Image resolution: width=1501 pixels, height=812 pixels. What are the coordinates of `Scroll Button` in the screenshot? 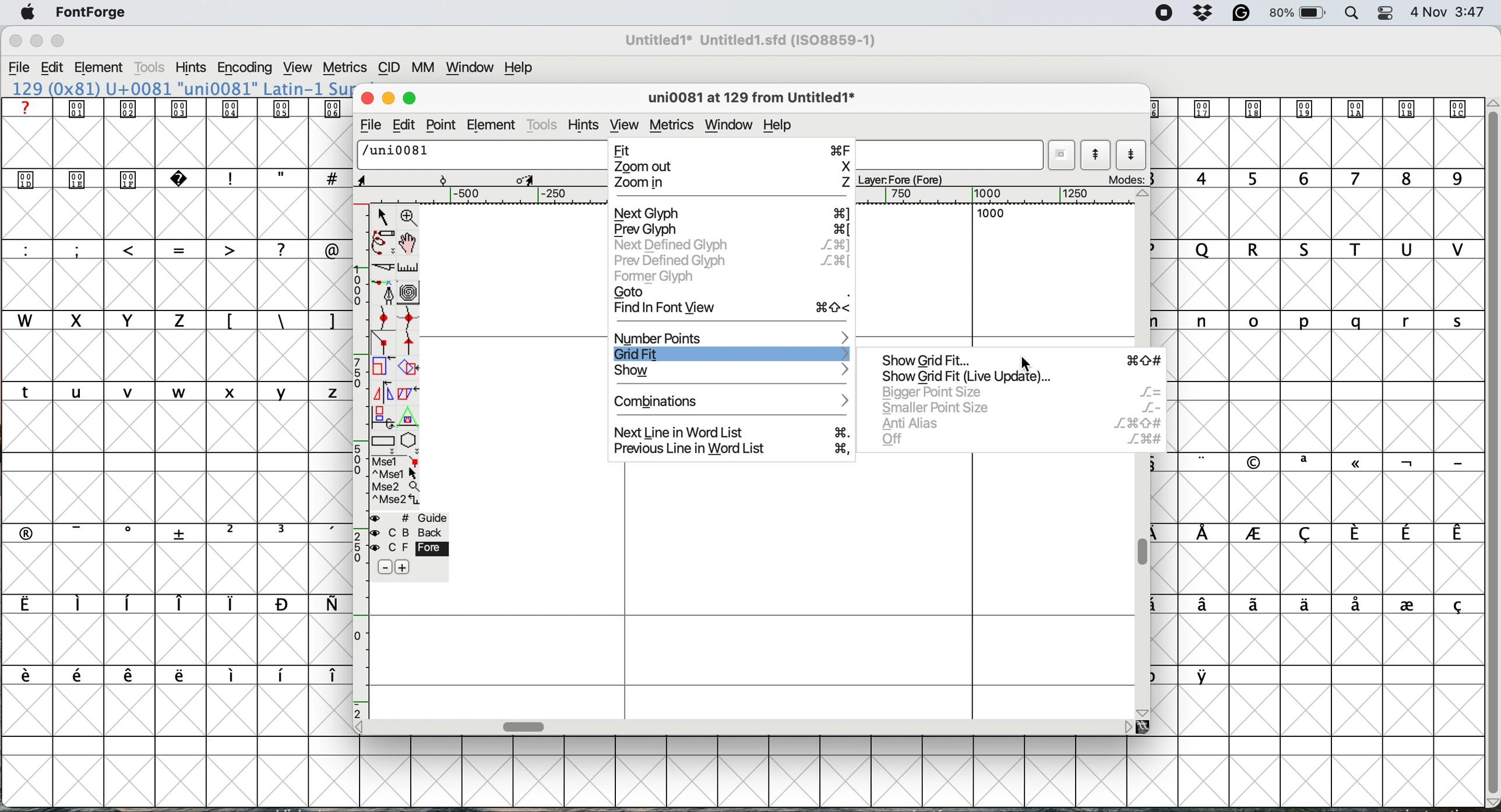 It's located at (1144, 712).